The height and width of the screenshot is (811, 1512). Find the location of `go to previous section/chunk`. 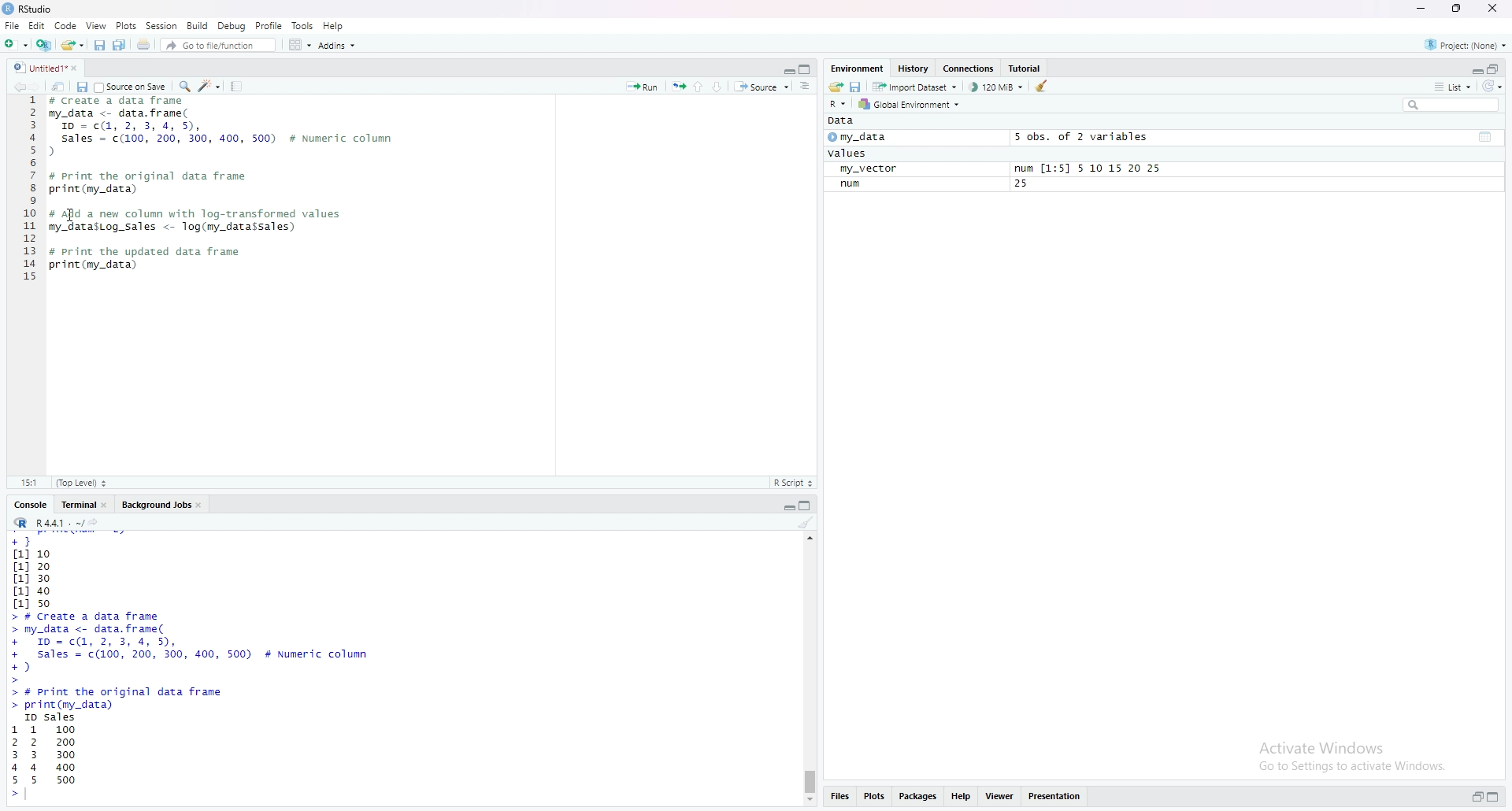

go to previous section/chunk is located at coordinates (701, 87).